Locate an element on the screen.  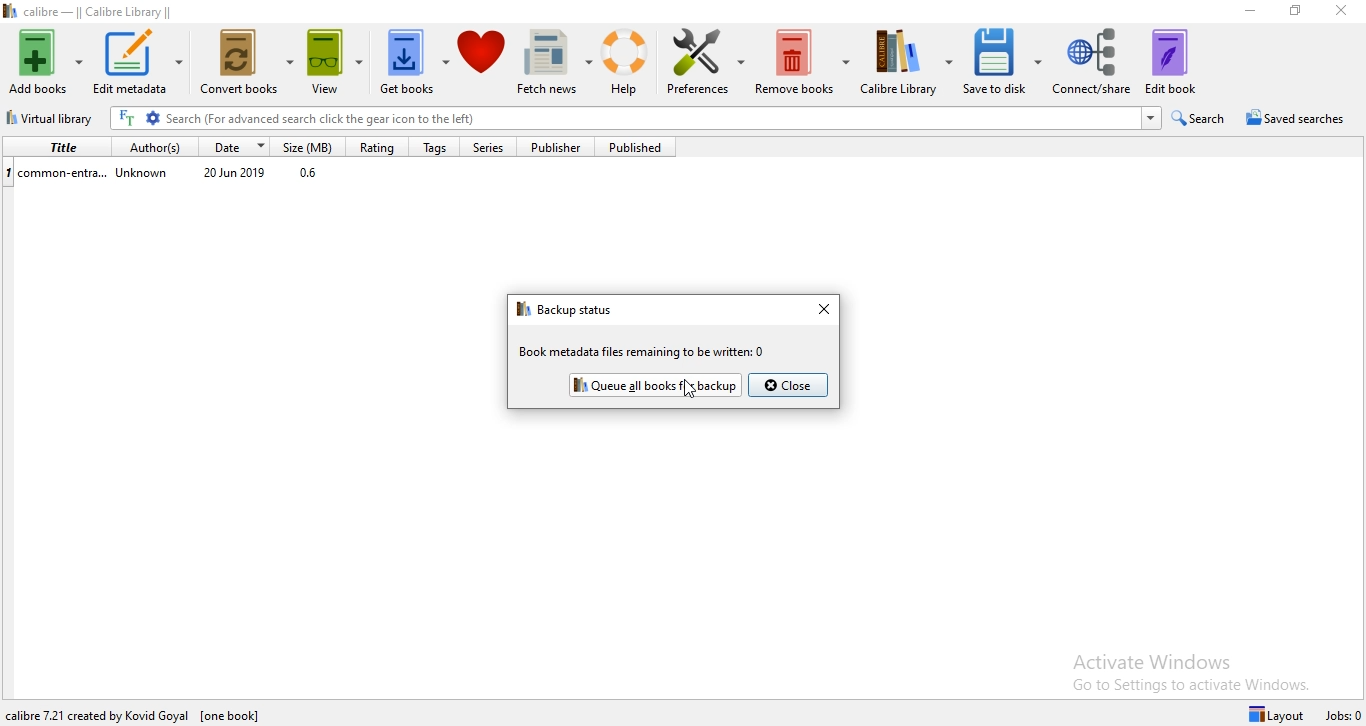
search history is located at coordinates (1151, 118).